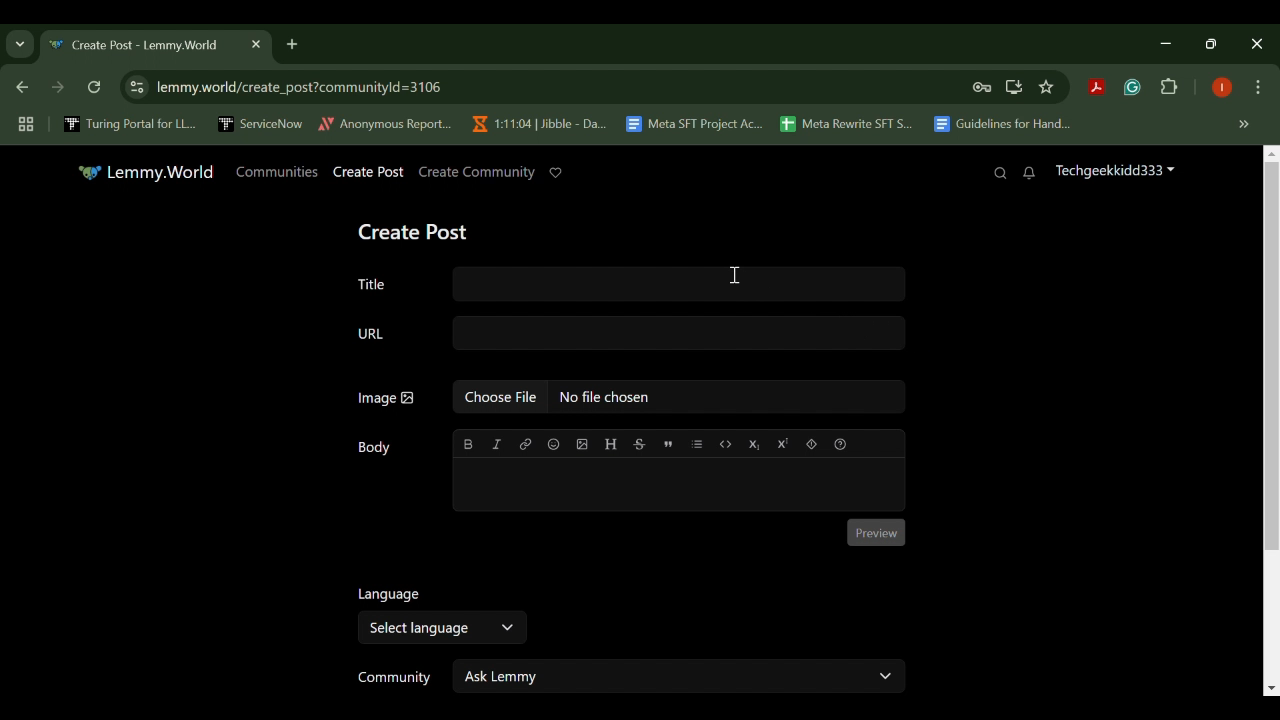  I want to click on Install Desktop Application, so click(1013, 87).